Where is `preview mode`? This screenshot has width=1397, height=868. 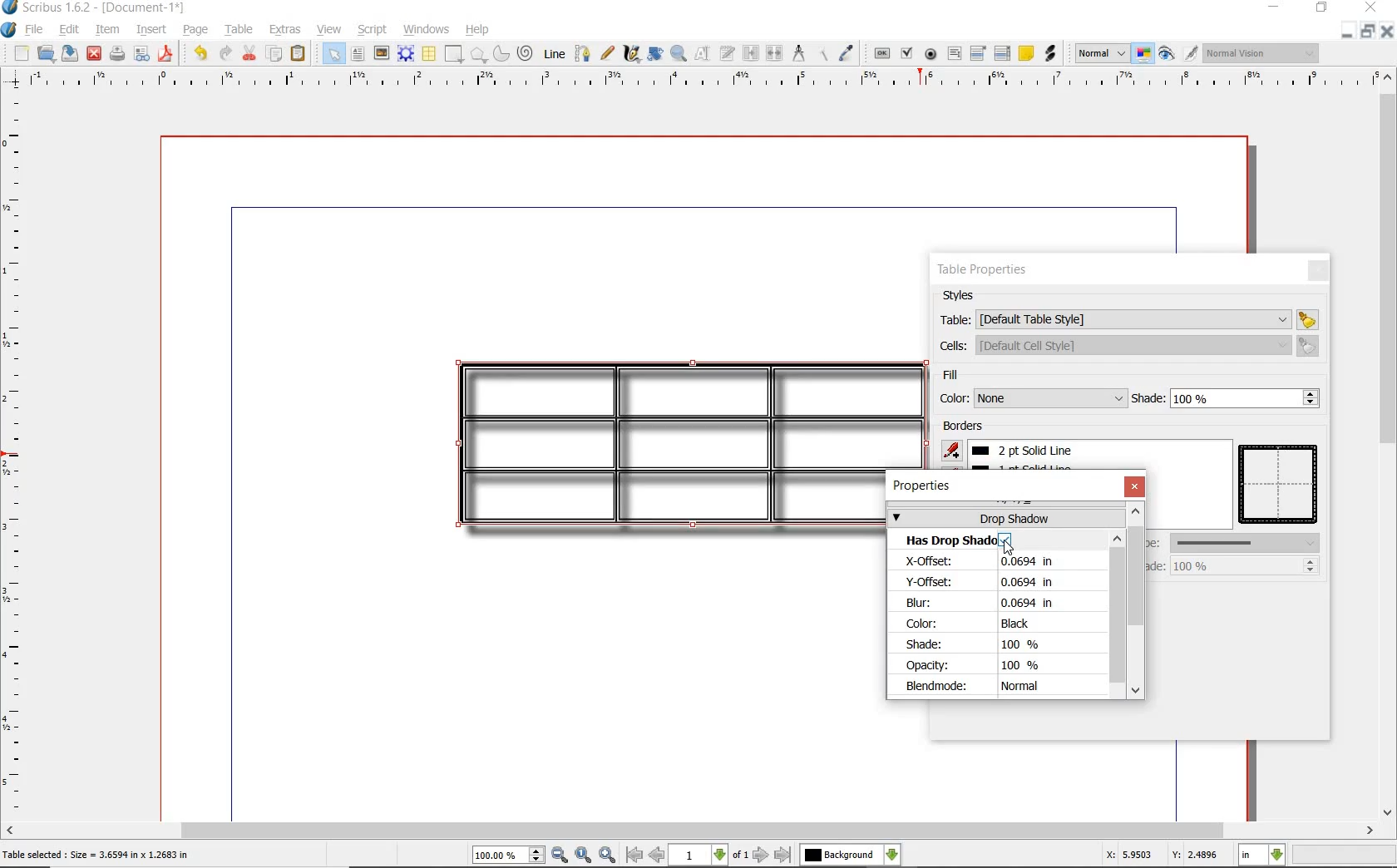
preview mode is located at coordinates (1165, 54).